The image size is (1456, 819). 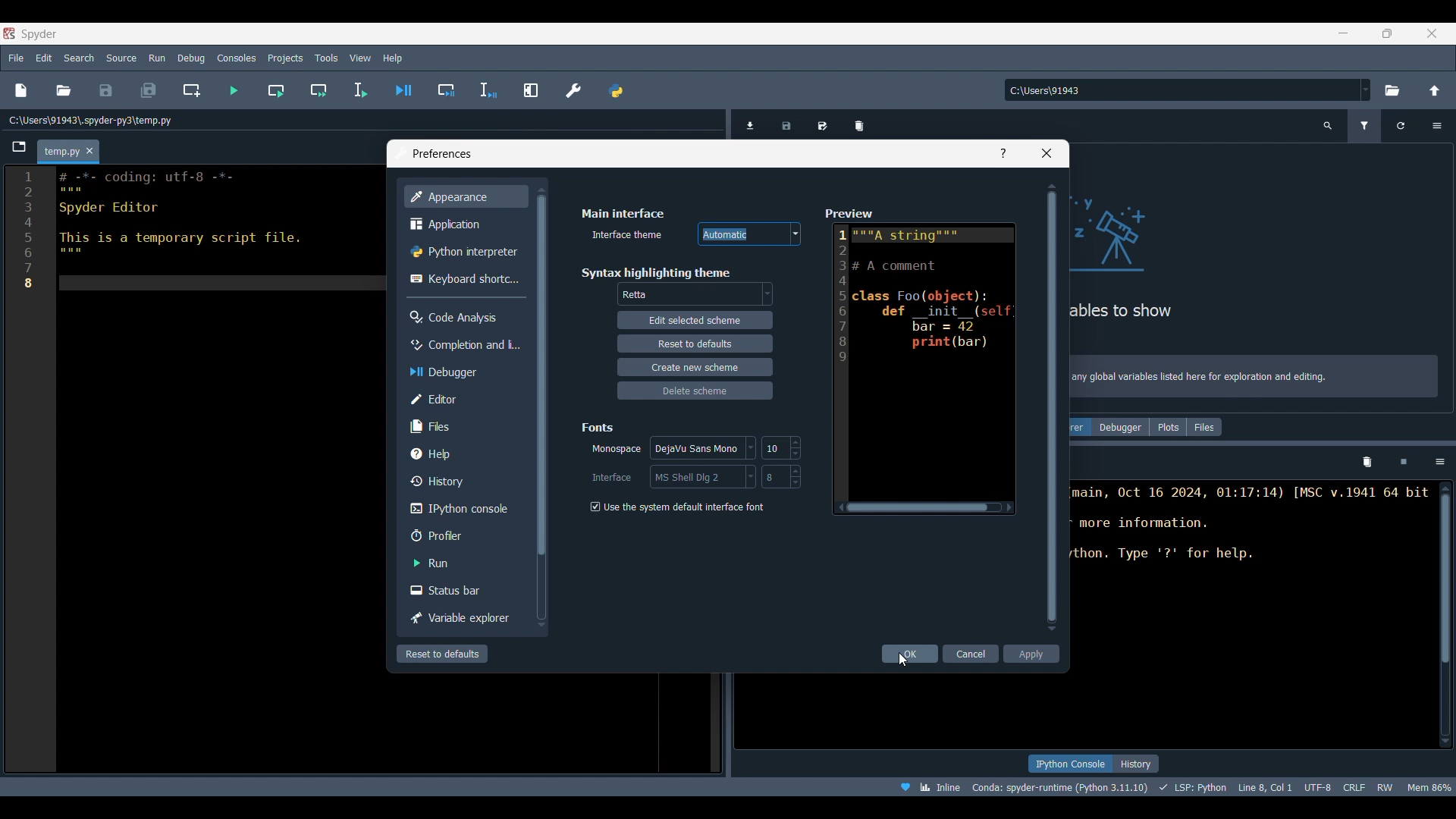 I want to click on Consoles menu, so click(x=237, y=57).